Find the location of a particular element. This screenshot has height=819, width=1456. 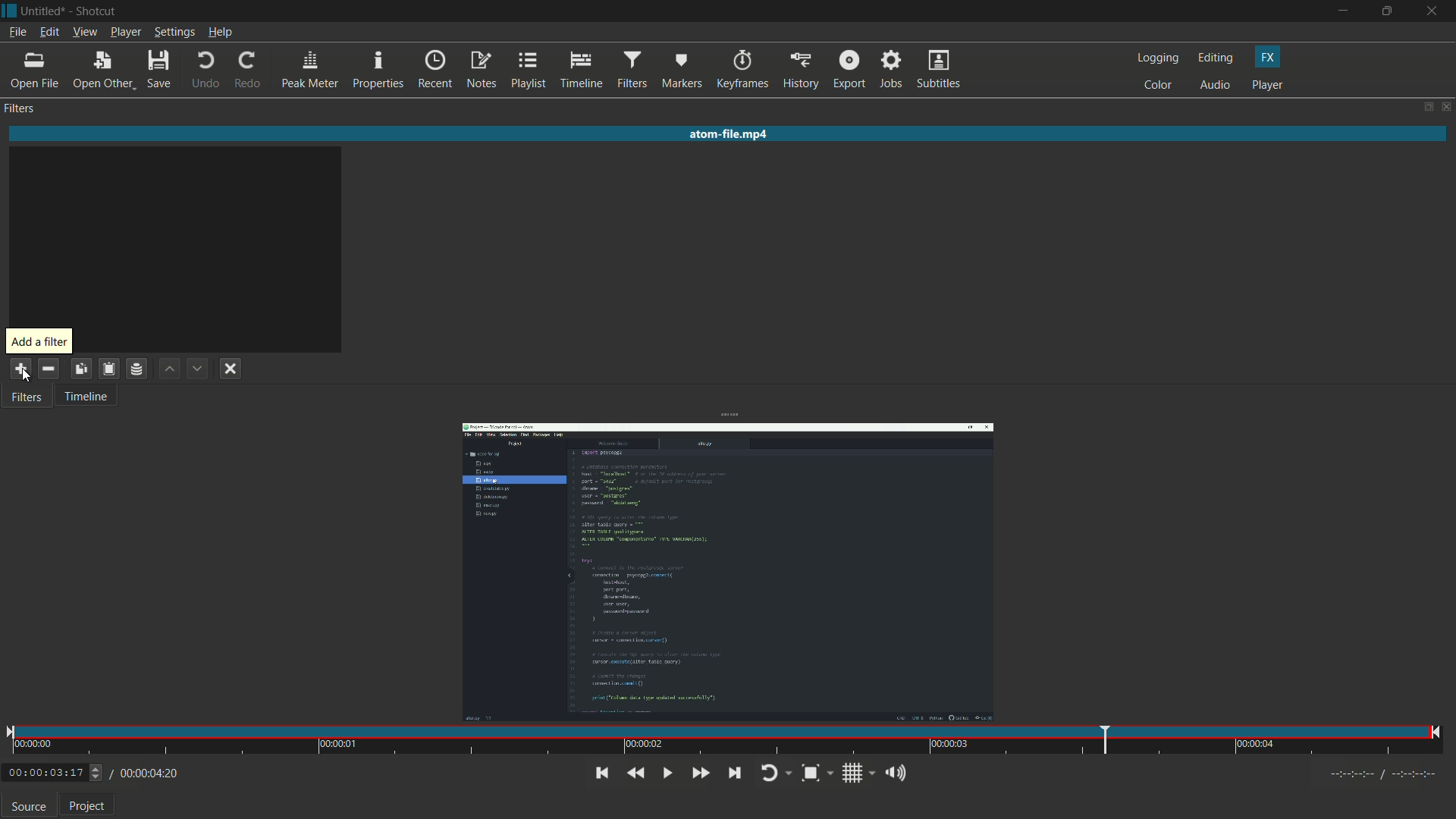

 / 00:00:04:20 (total time) is located at coordinates (146, 771).